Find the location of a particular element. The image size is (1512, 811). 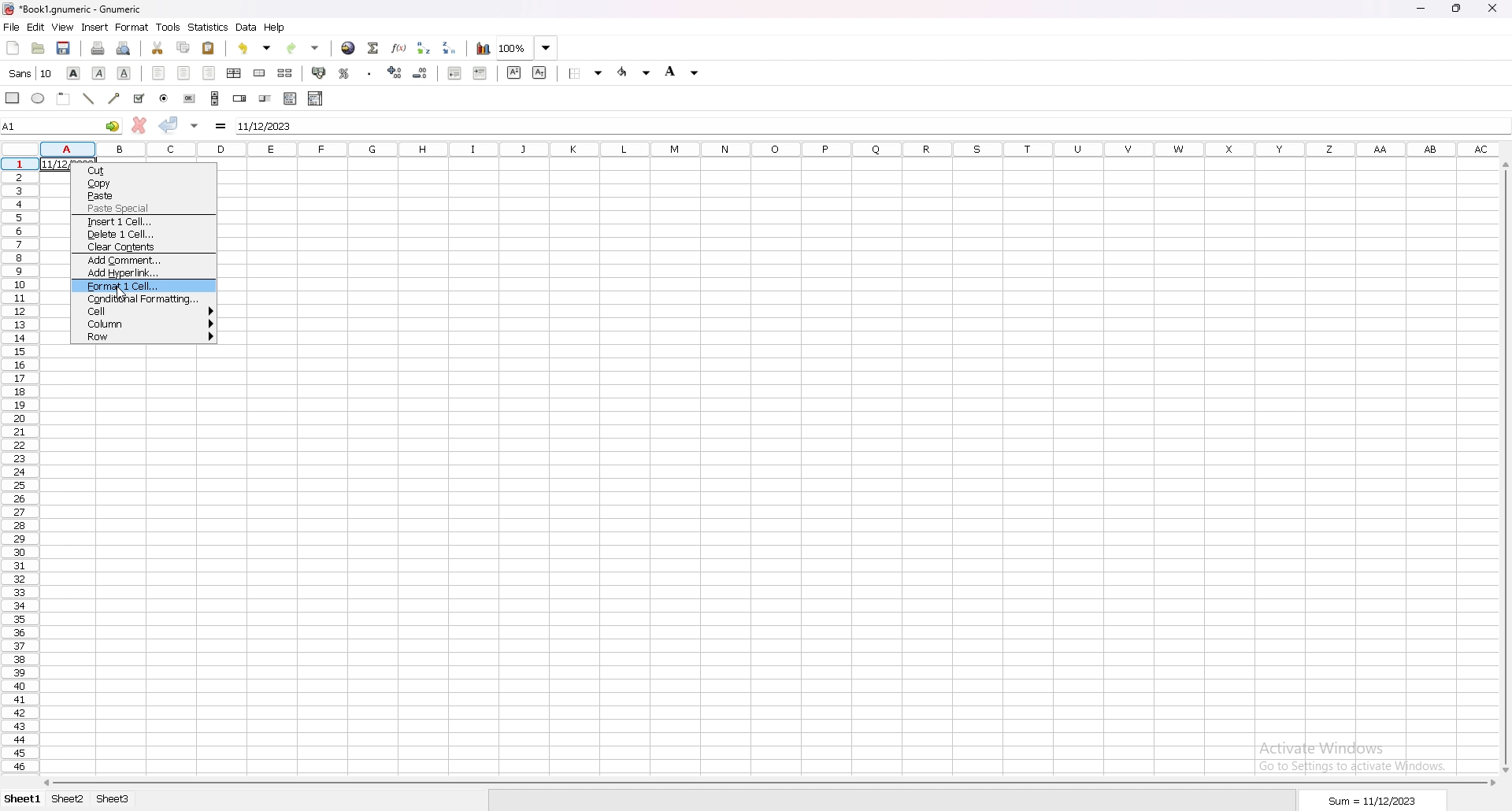

combo box is located at coordinates (317, 98).